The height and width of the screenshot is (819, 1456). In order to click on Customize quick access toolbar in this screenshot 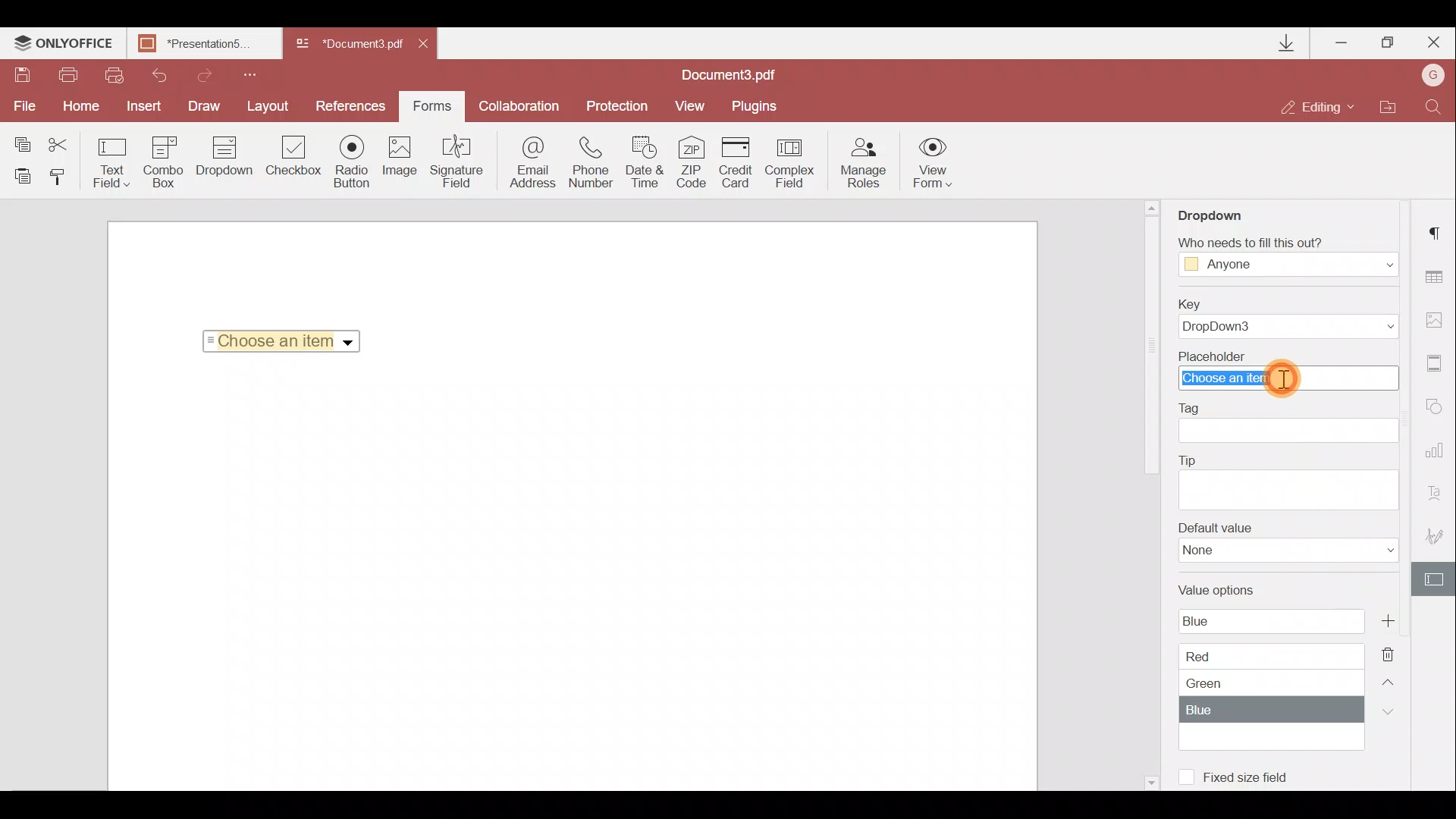, I will do `click(256, 74)`.